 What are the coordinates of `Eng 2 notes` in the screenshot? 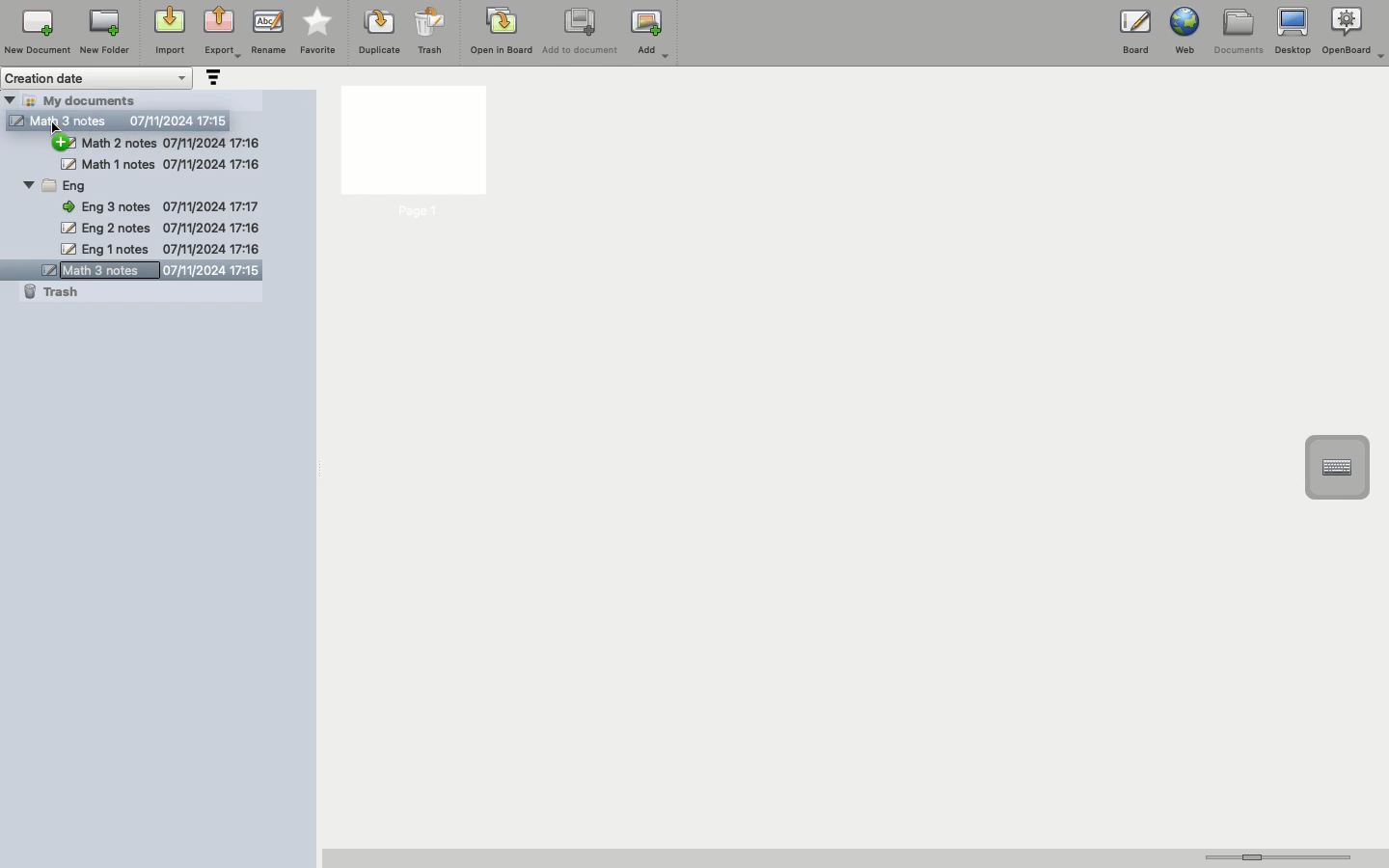 It's located at (159, 230).